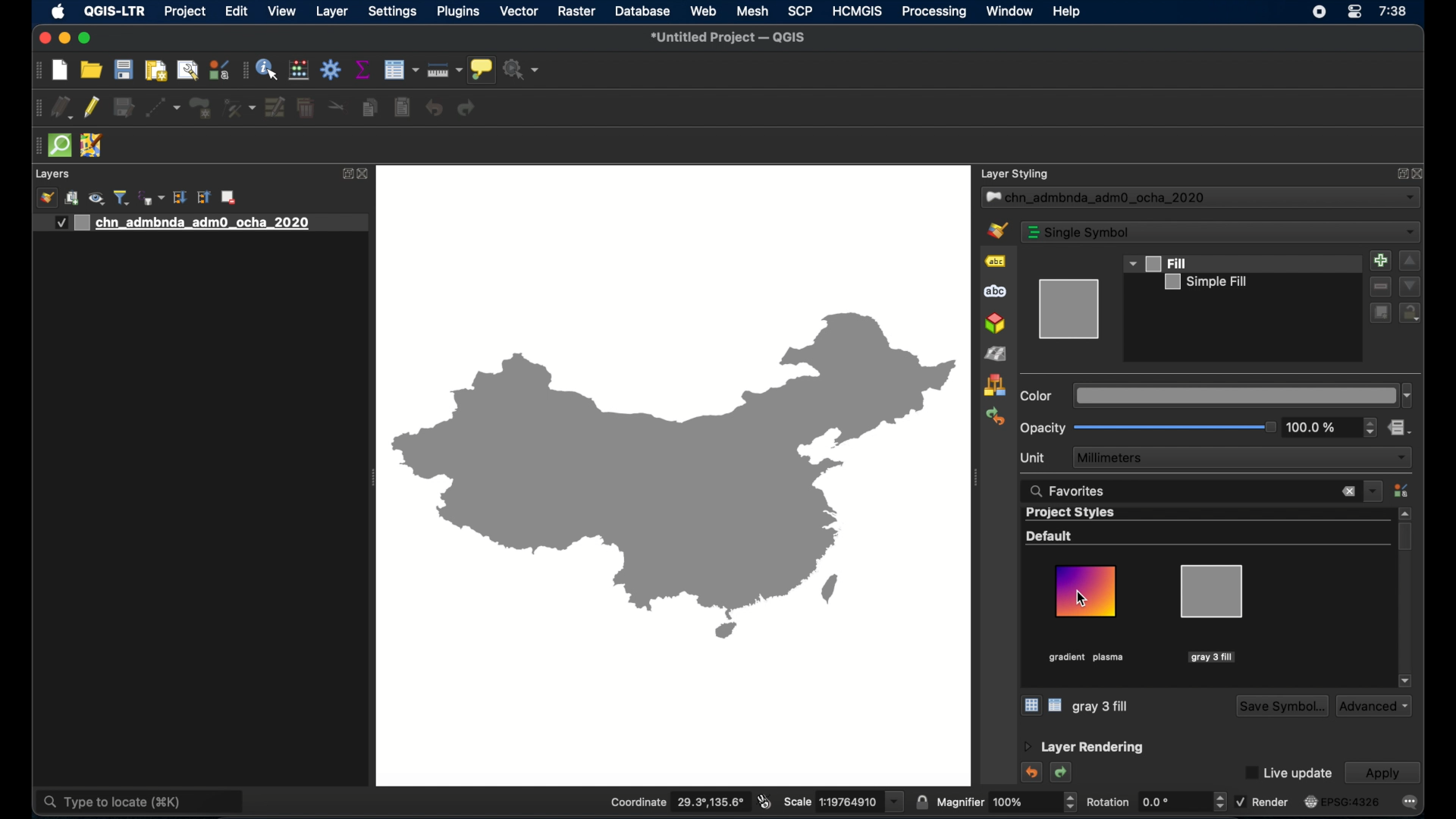 This screenshot has width=1456, height=819. Describe the element at coordinates (674, 473) in the screenshot. I see `China outline map` at that location.